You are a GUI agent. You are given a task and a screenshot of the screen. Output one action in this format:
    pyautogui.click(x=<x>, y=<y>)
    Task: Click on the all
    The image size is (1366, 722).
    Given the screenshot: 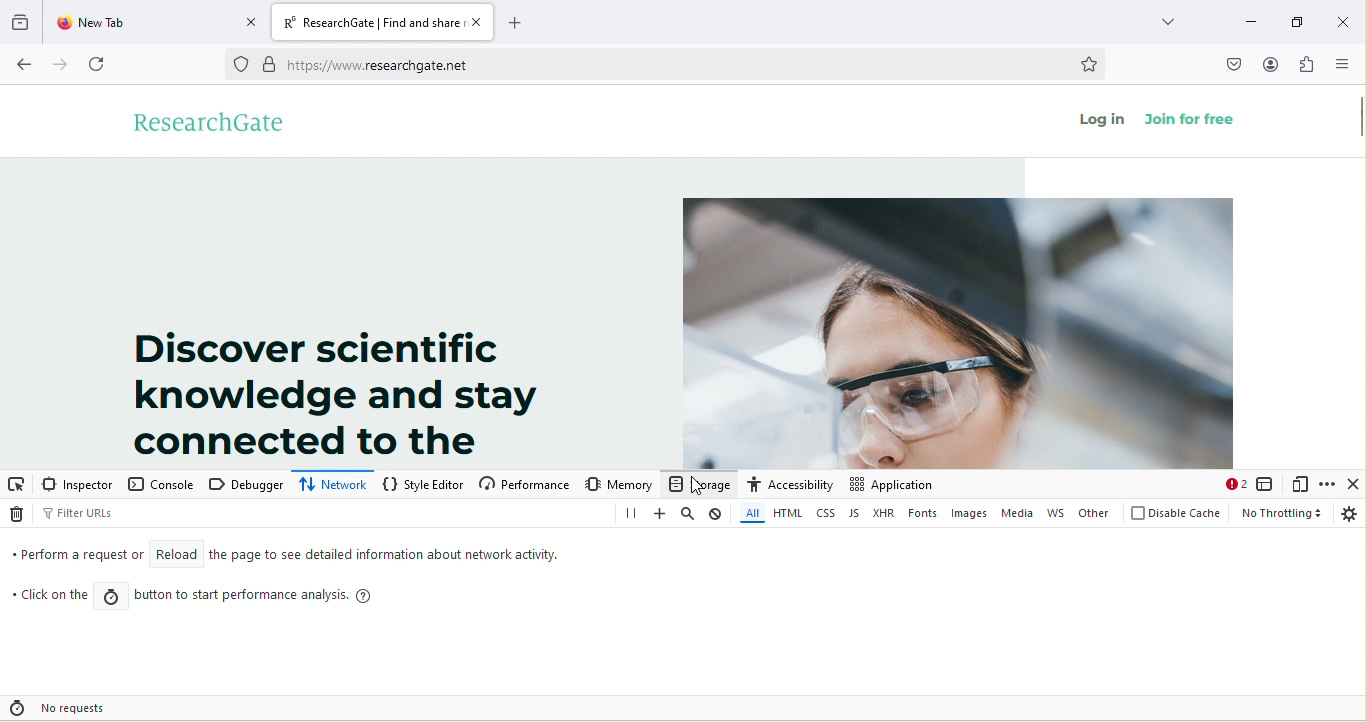 What is the action you would take?
    pyautogui.click(x=751, y=512)
    